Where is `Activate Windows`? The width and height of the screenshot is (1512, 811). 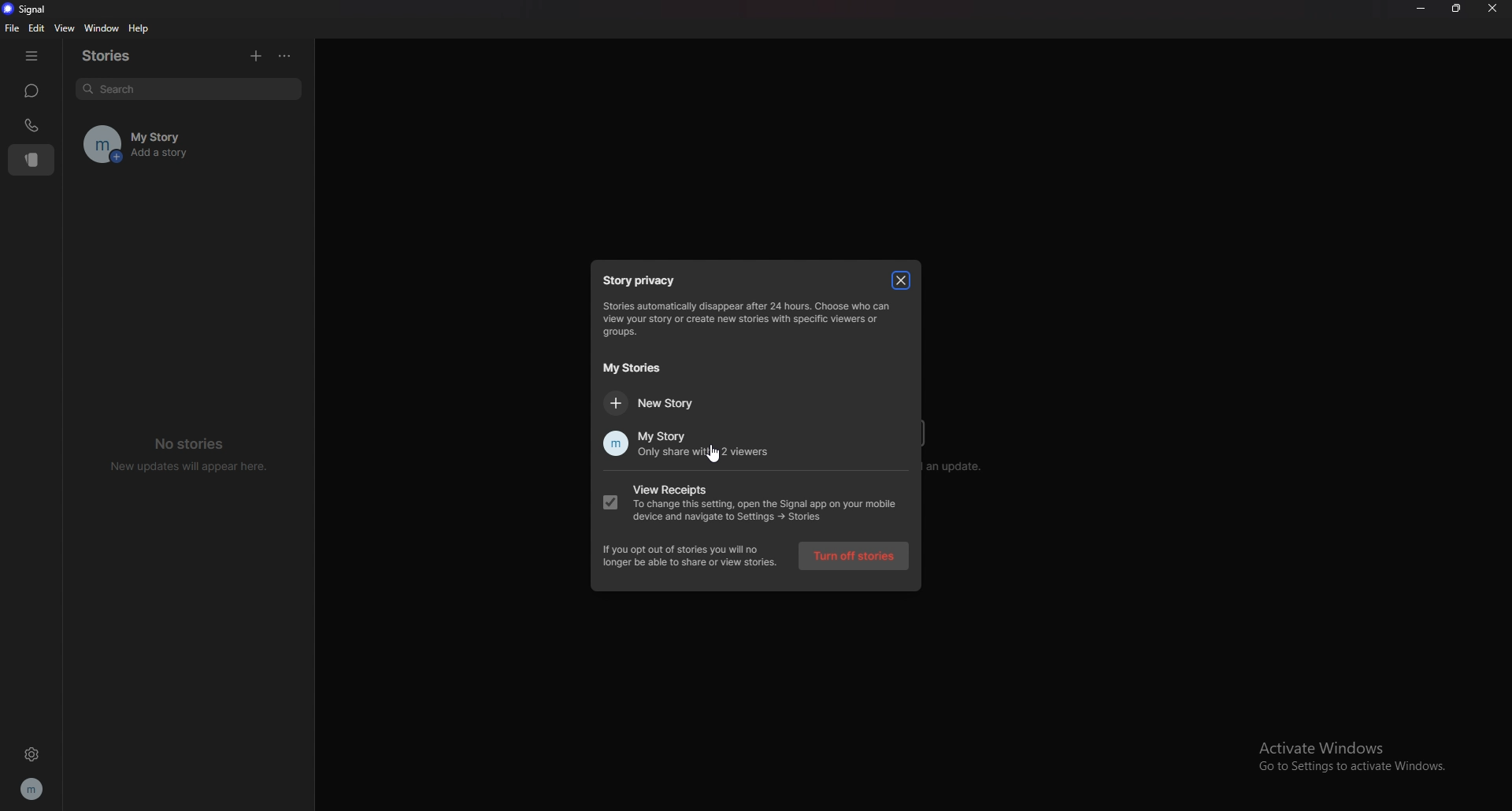
Activate Windows is located at coordinates (1340, 745).